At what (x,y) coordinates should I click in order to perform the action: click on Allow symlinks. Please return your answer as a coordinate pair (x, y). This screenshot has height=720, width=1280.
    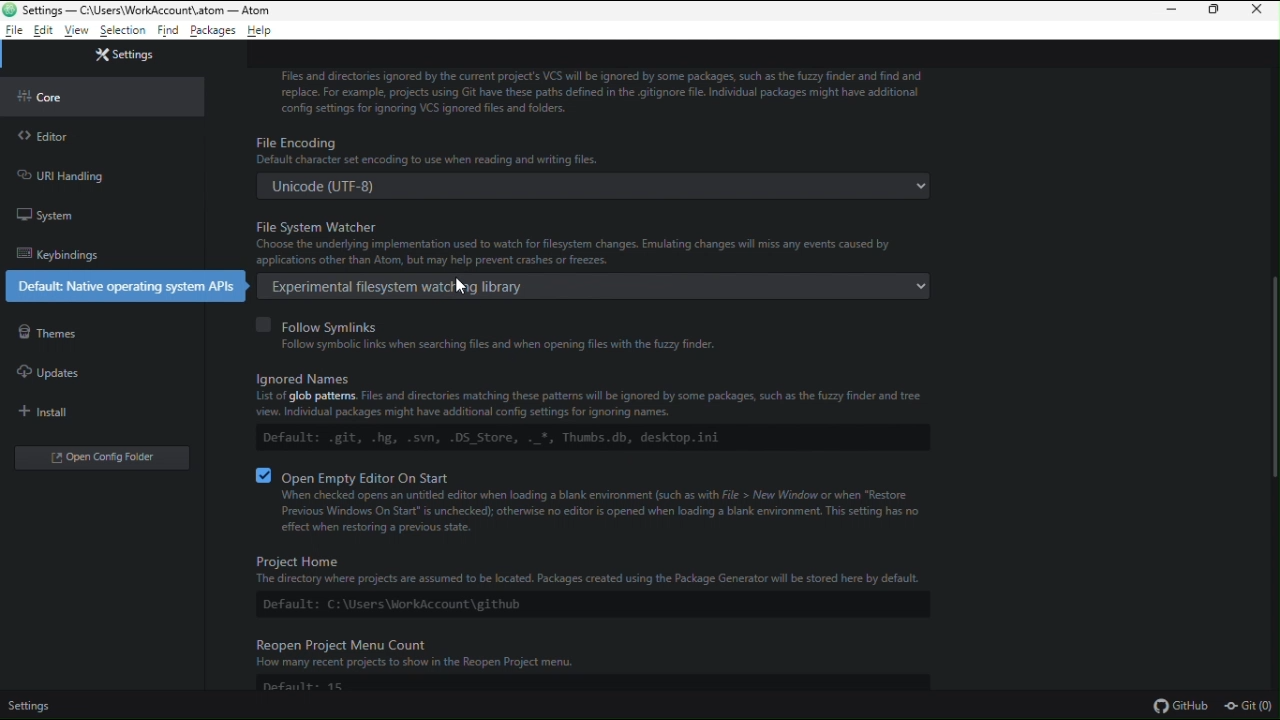
    Looking at the image, I should click on (502, 333).